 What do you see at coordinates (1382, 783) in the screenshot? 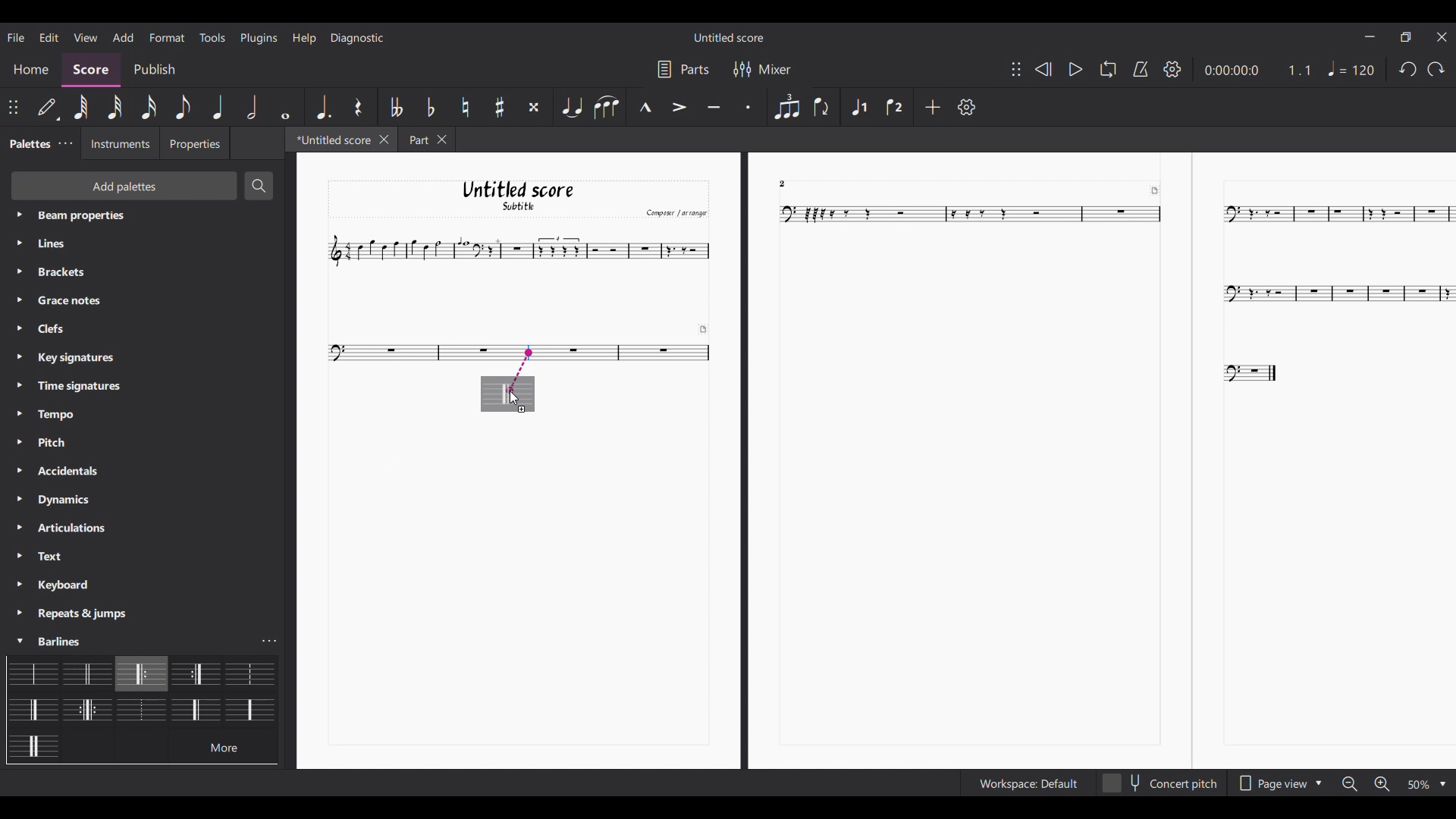
I see `Zoom in` at bounding box center [1382, 783].